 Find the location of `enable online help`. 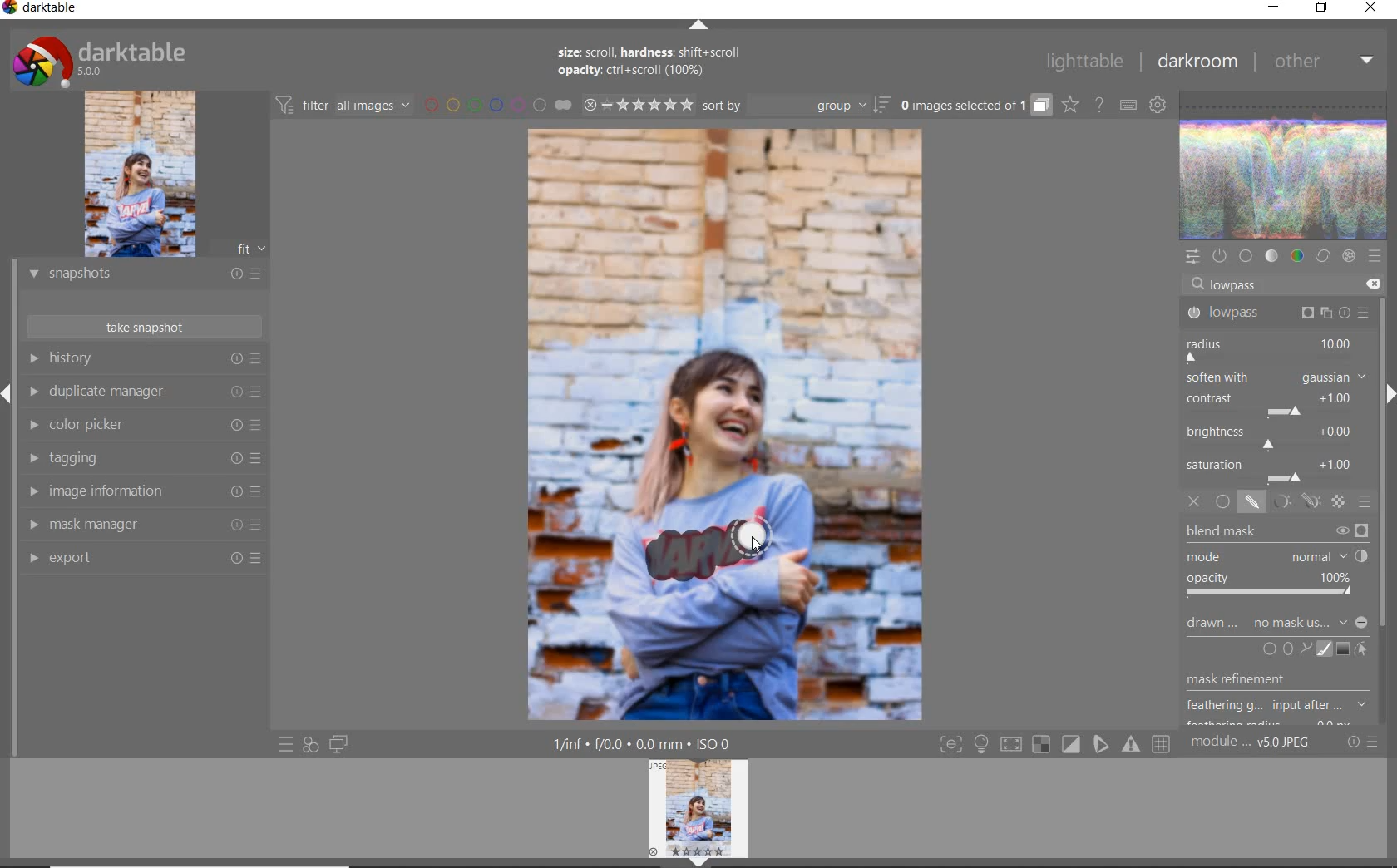

enable online help is located at coordinates (1100, 104).